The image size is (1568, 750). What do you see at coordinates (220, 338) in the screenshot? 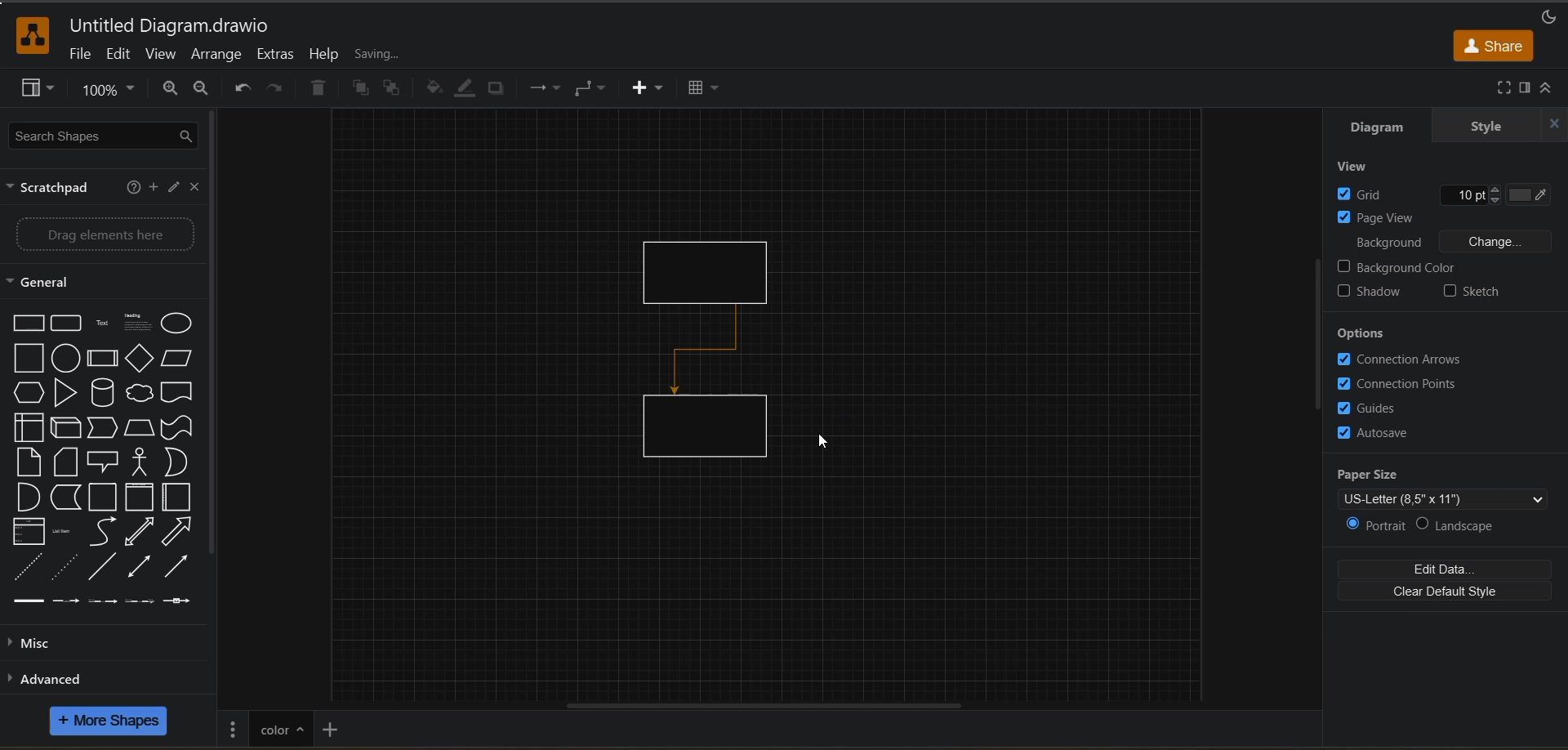
I see `vertical scroll bar` at bounding box center [220, 338].